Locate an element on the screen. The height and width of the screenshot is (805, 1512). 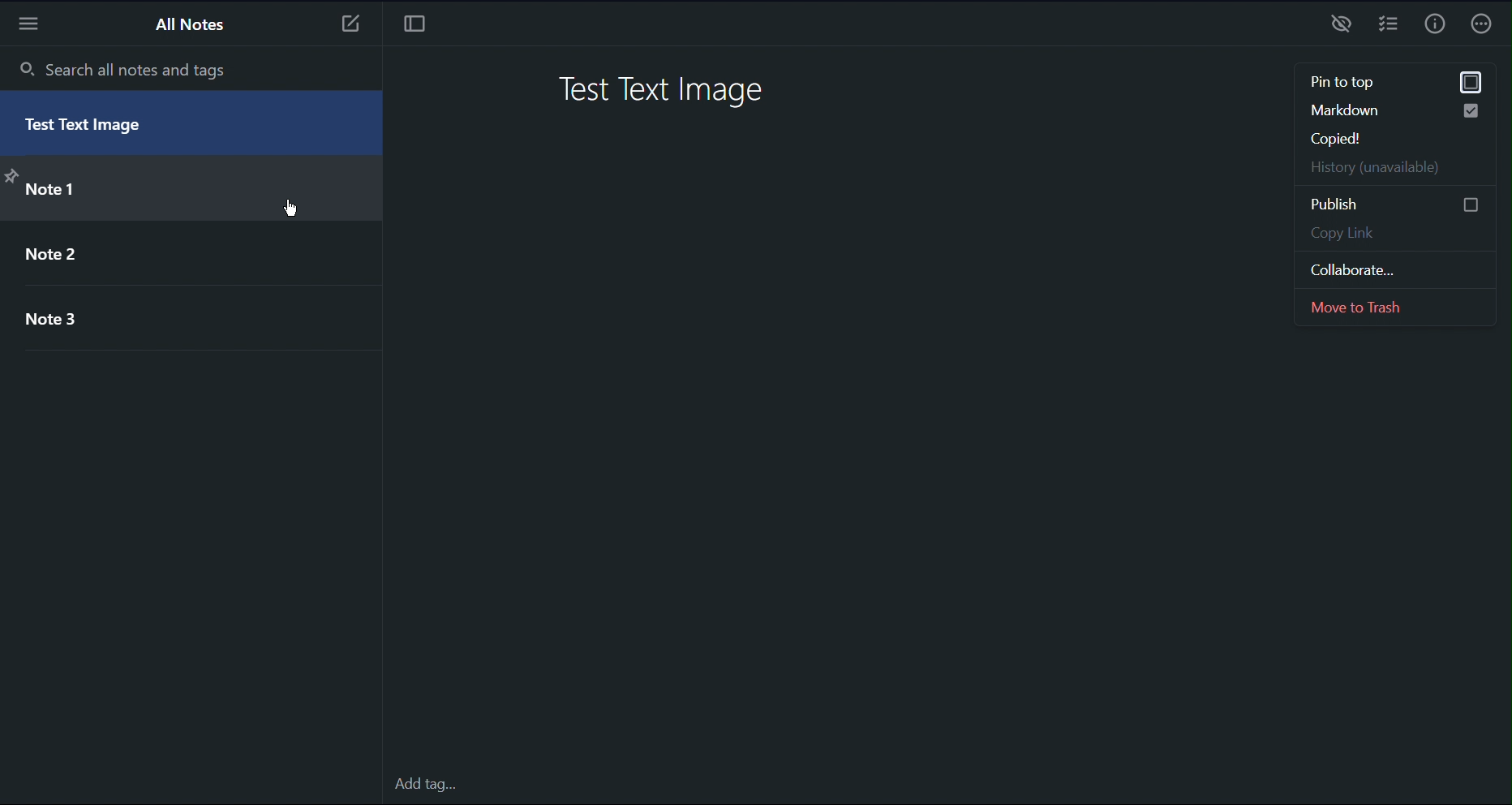
Checklist is located at coordinates (1388, 27).